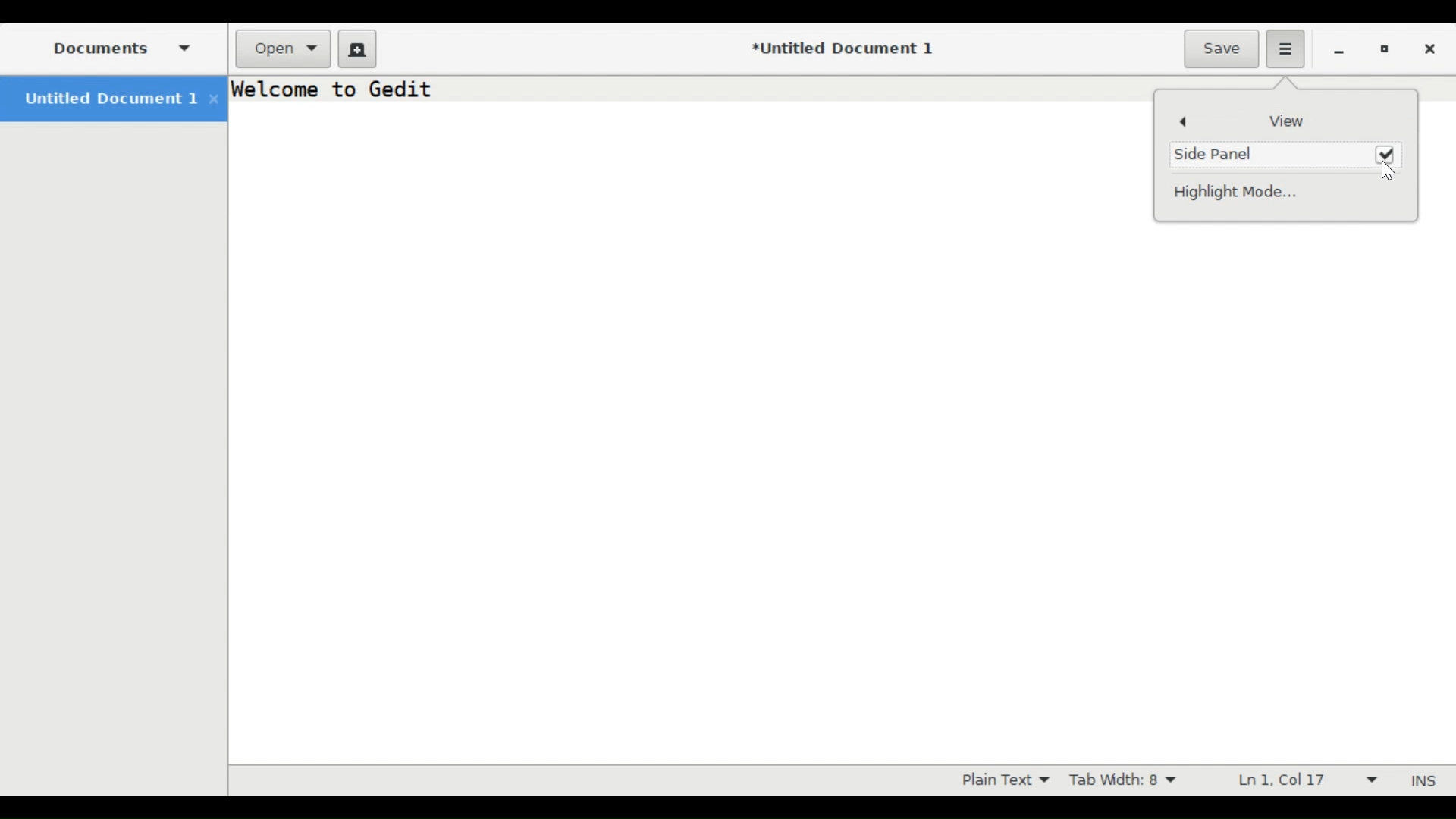 The height and width of the screenshot is (819, 1456). I want to click on Untitled Document 1, so click(111, 99).